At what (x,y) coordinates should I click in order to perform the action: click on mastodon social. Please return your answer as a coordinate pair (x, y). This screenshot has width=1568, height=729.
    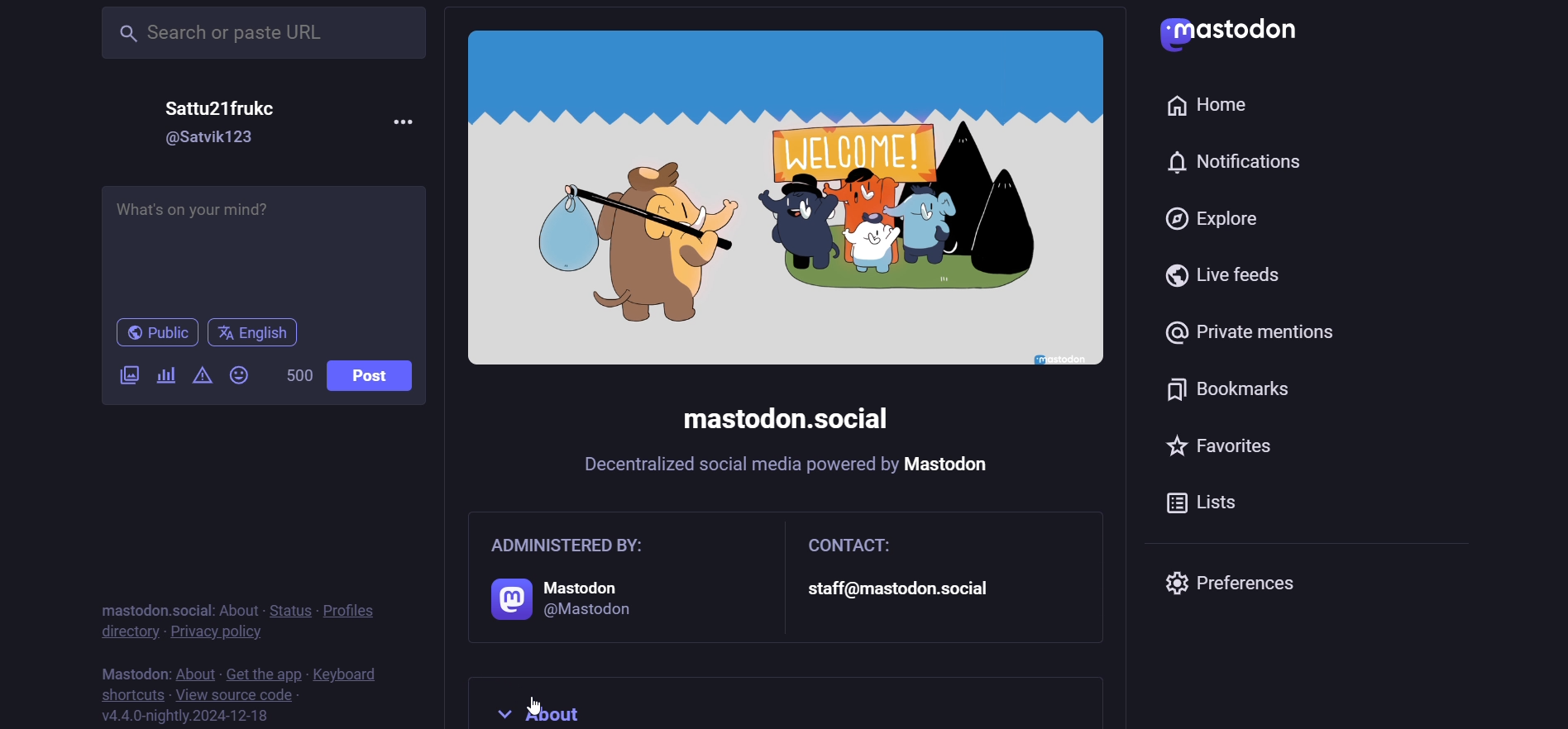
    Looking at the image, I should click on (789, 420).